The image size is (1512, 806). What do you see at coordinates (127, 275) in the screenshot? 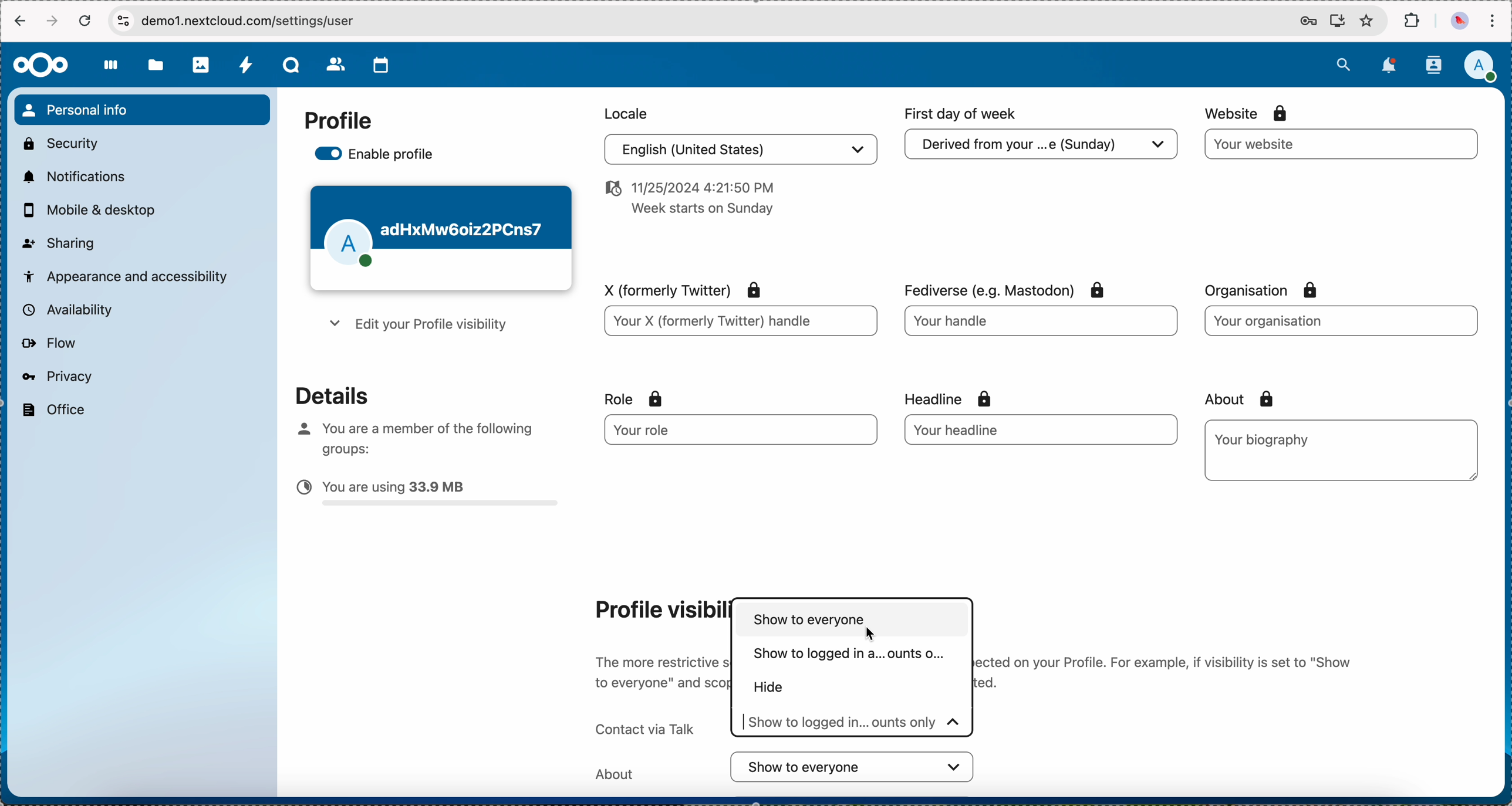
I see `appearance and accessibility` at bounding box center [127, 275].